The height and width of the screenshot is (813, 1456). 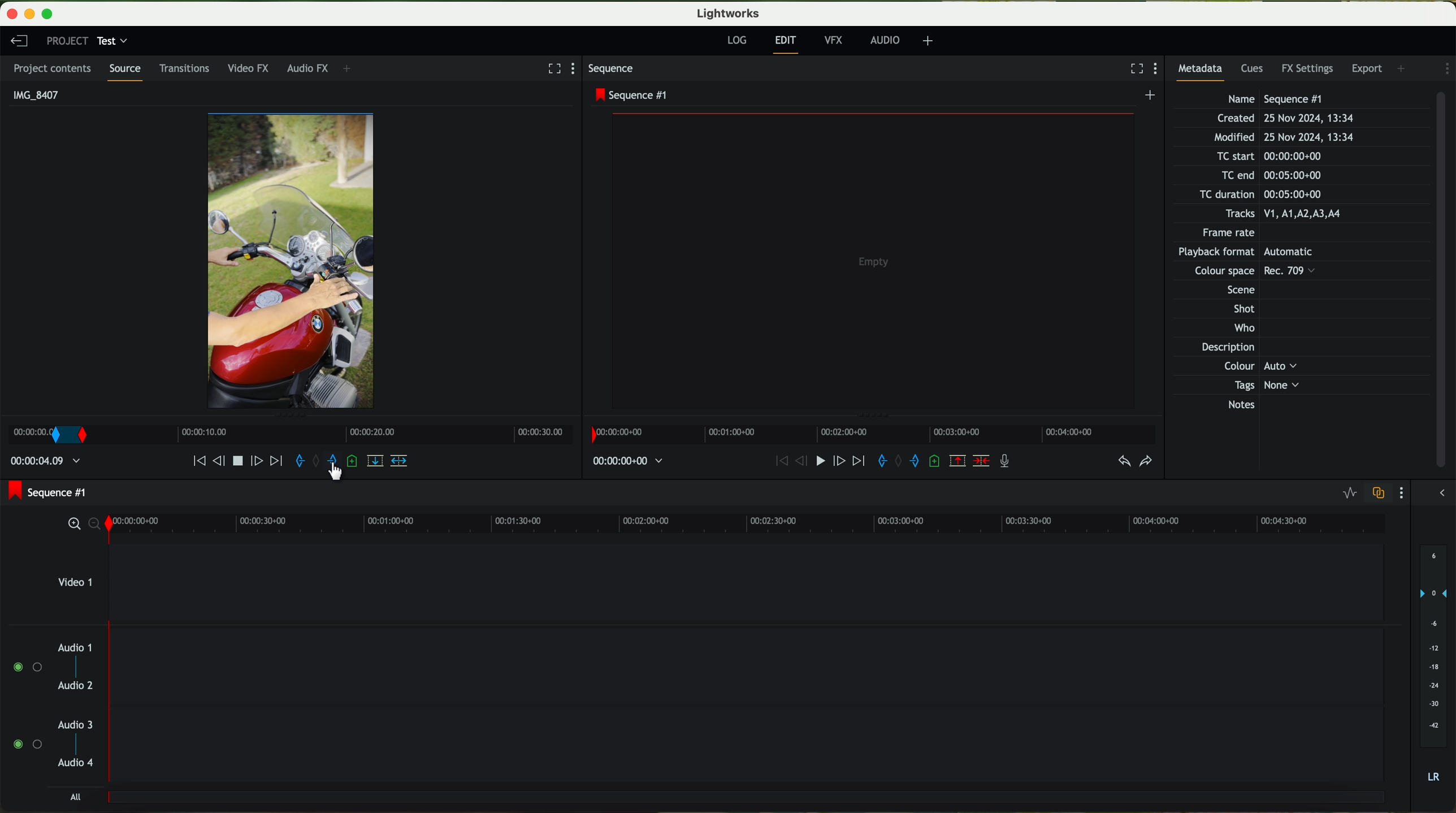 I want to click on timeline, so click(x=872, y=434).